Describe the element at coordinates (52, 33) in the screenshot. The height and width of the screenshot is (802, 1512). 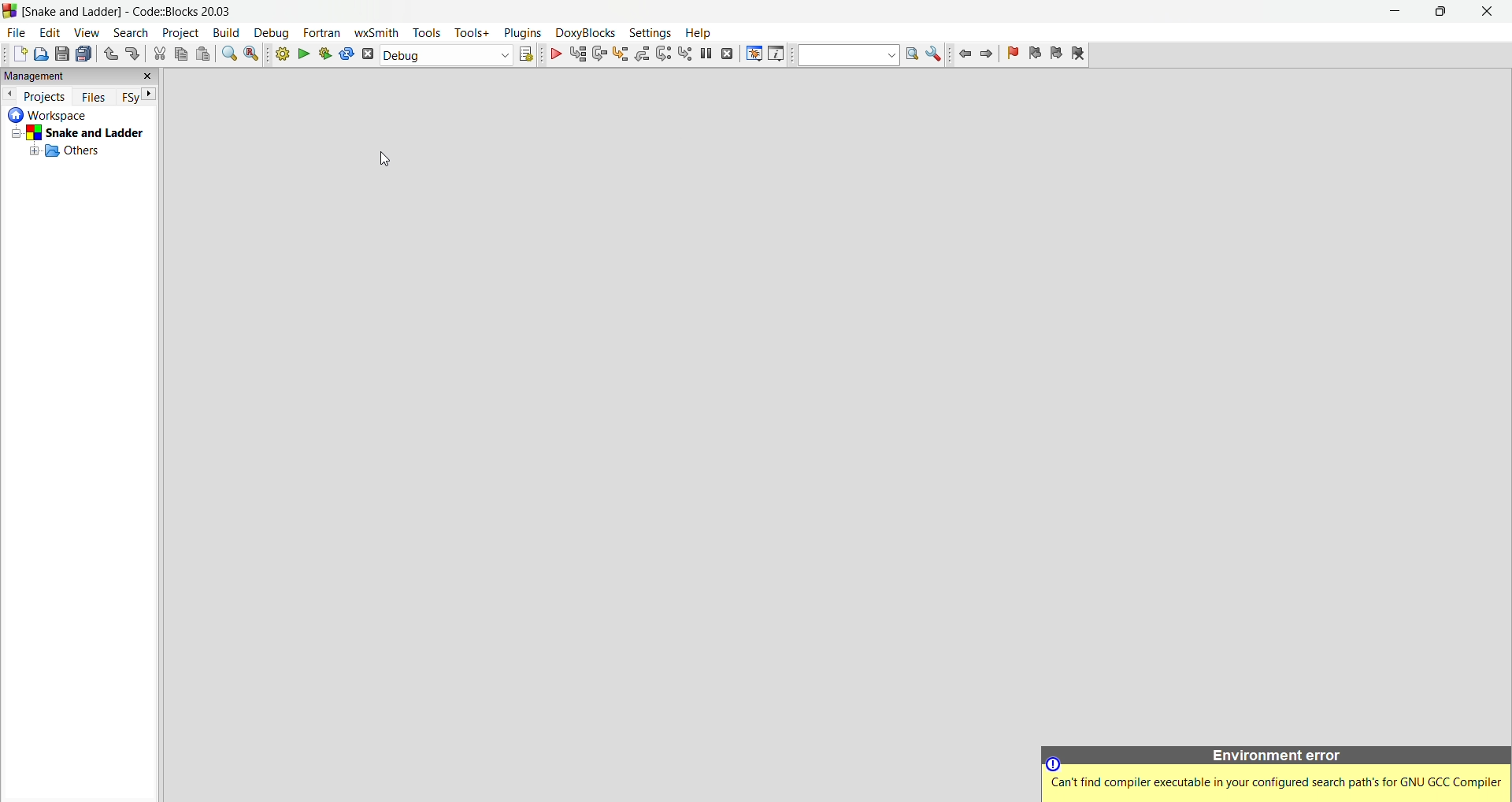
I see `edit` at that location.